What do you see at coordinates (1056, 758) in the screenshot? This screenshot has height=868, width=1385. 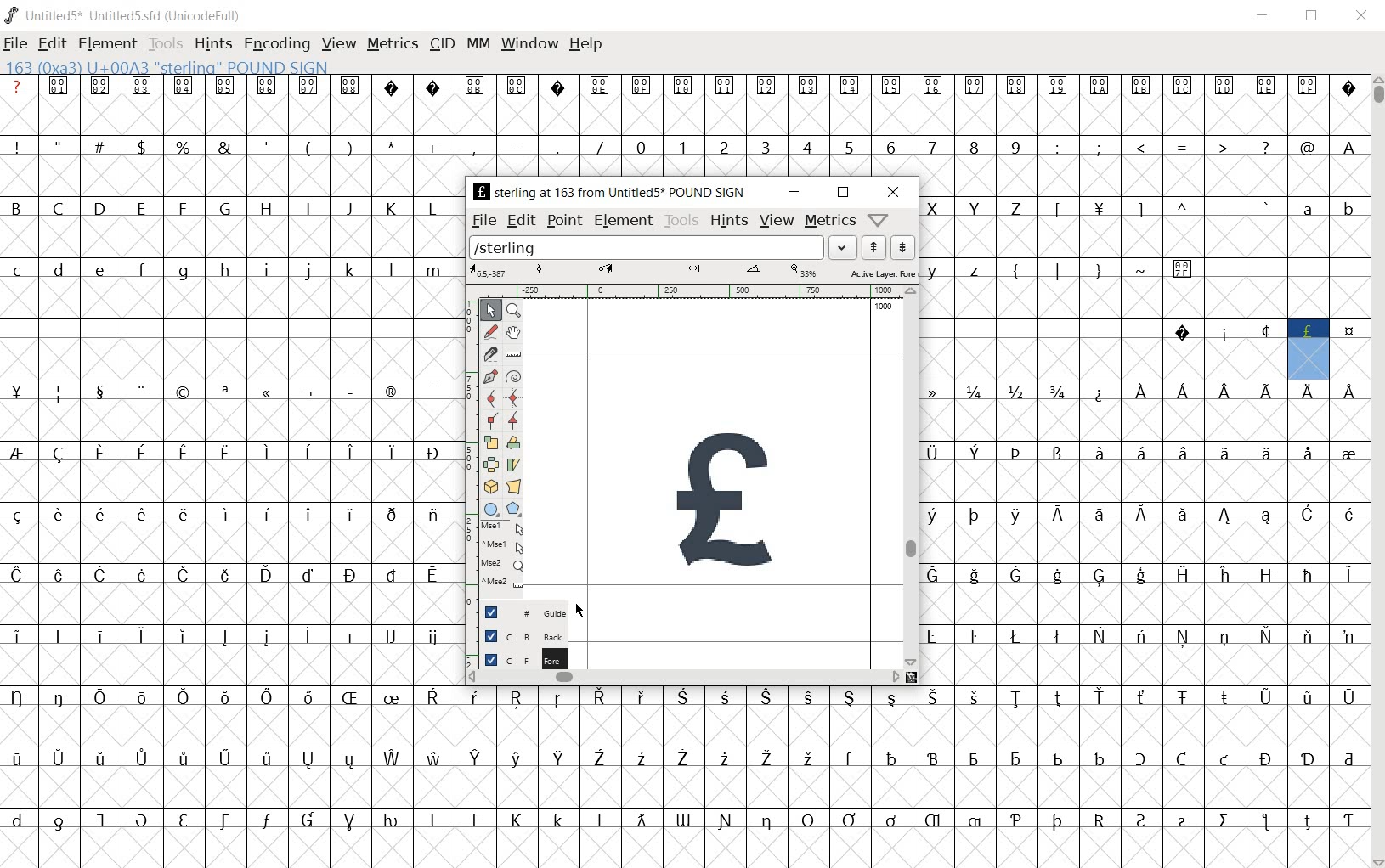 I see `Symbol` at bounding box center [1056, 758].